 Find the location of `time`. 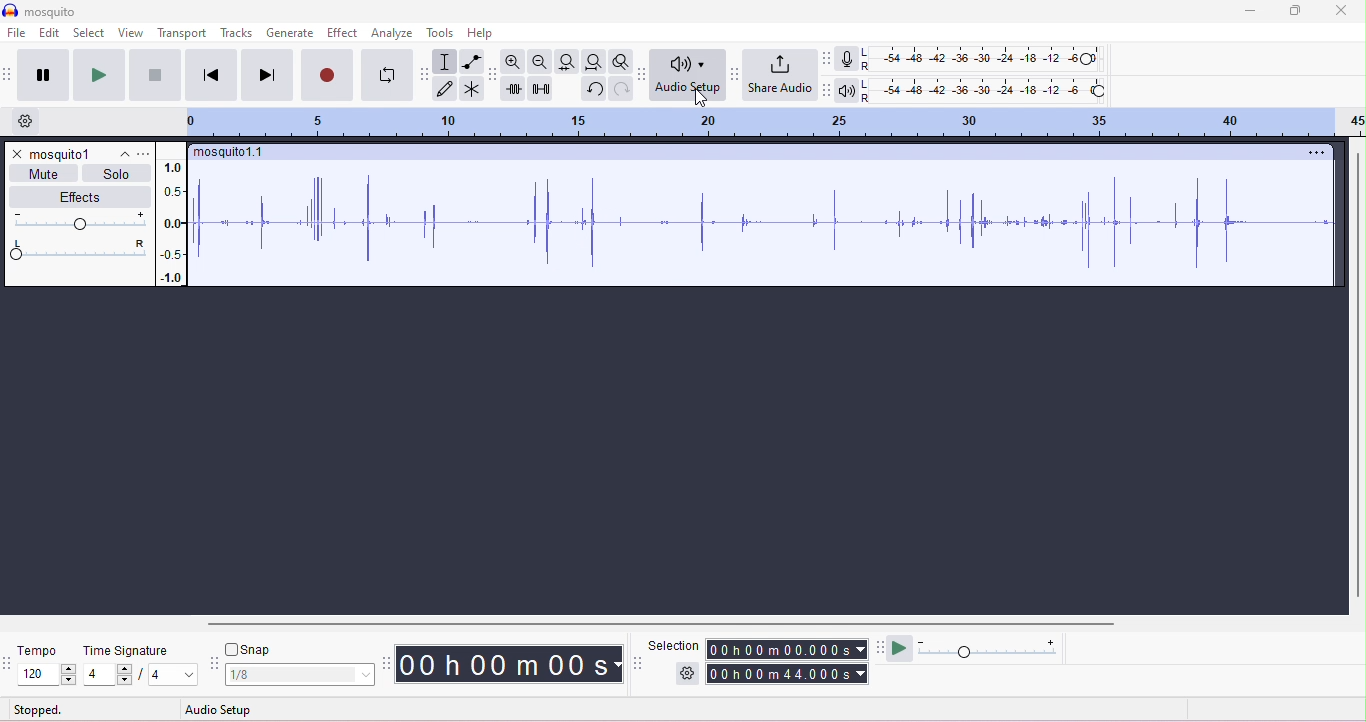

time is located at coordinates (508, 664).